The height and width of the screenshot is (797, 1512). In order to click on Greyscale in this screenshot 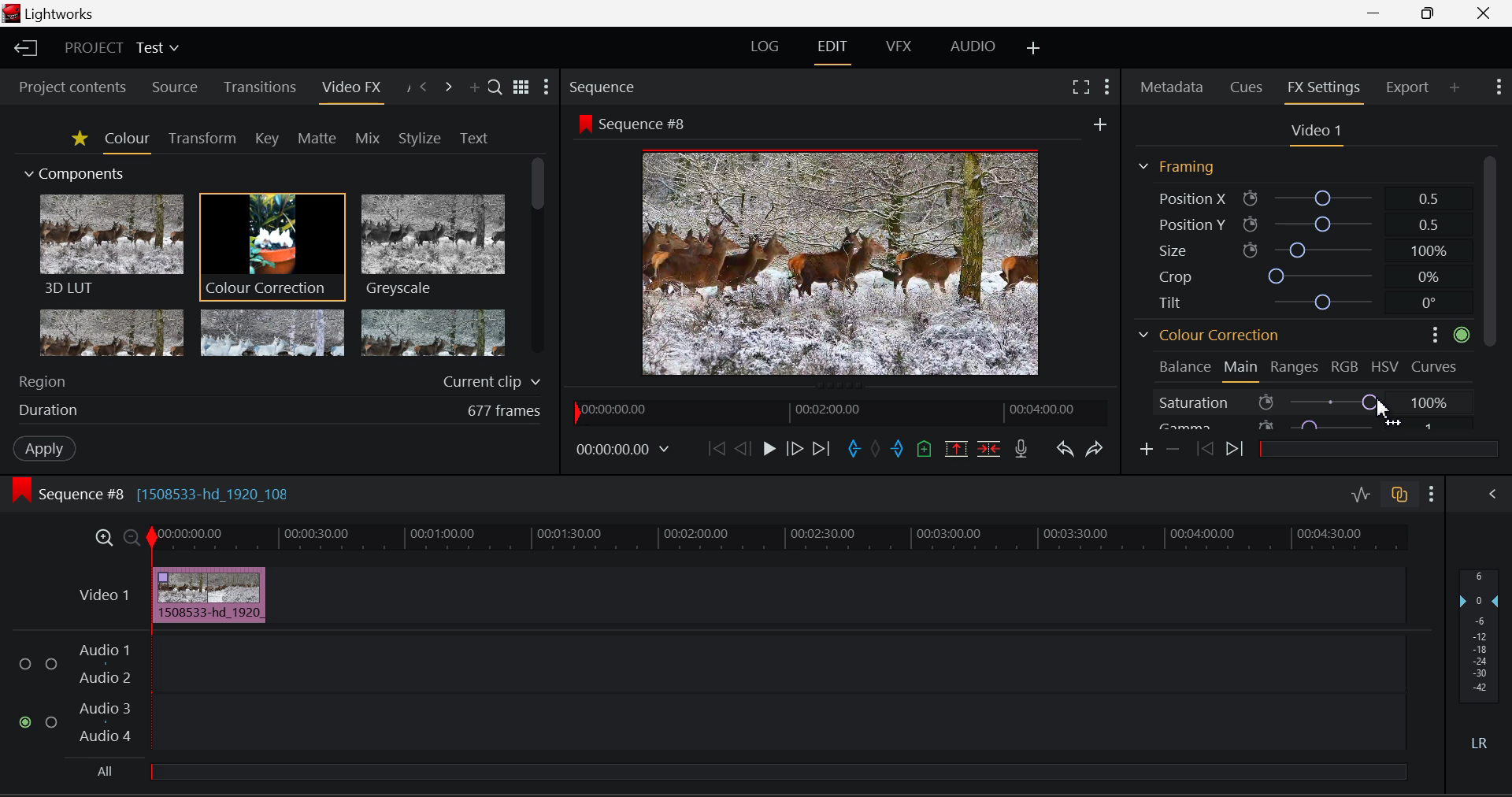, I will do `click(431, 247)`.